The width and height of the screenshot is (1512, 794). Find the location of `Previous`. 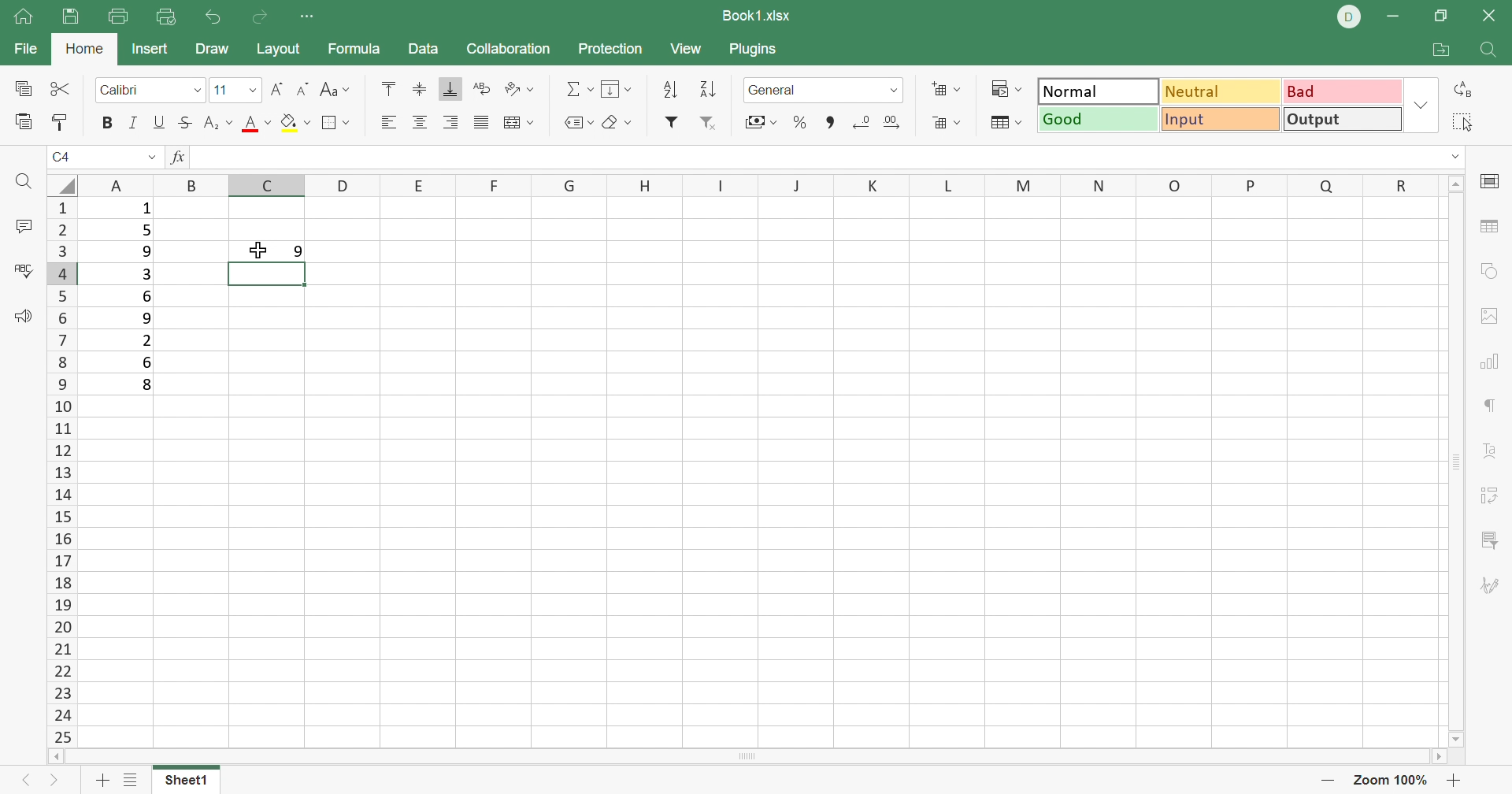

Previous is located at coordinates (28, 782).